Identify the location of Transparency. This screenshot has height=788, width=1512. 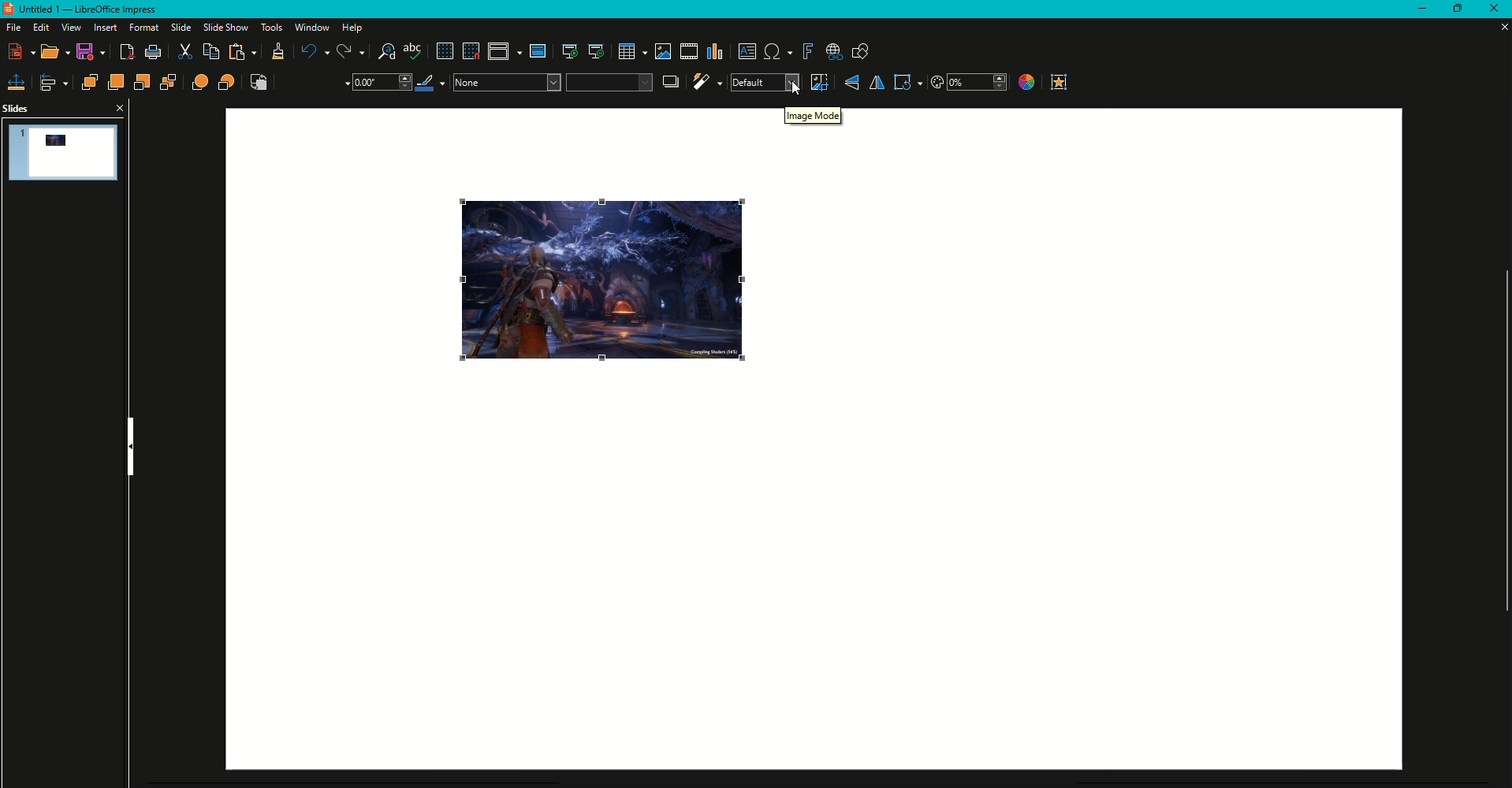
(969, 83).